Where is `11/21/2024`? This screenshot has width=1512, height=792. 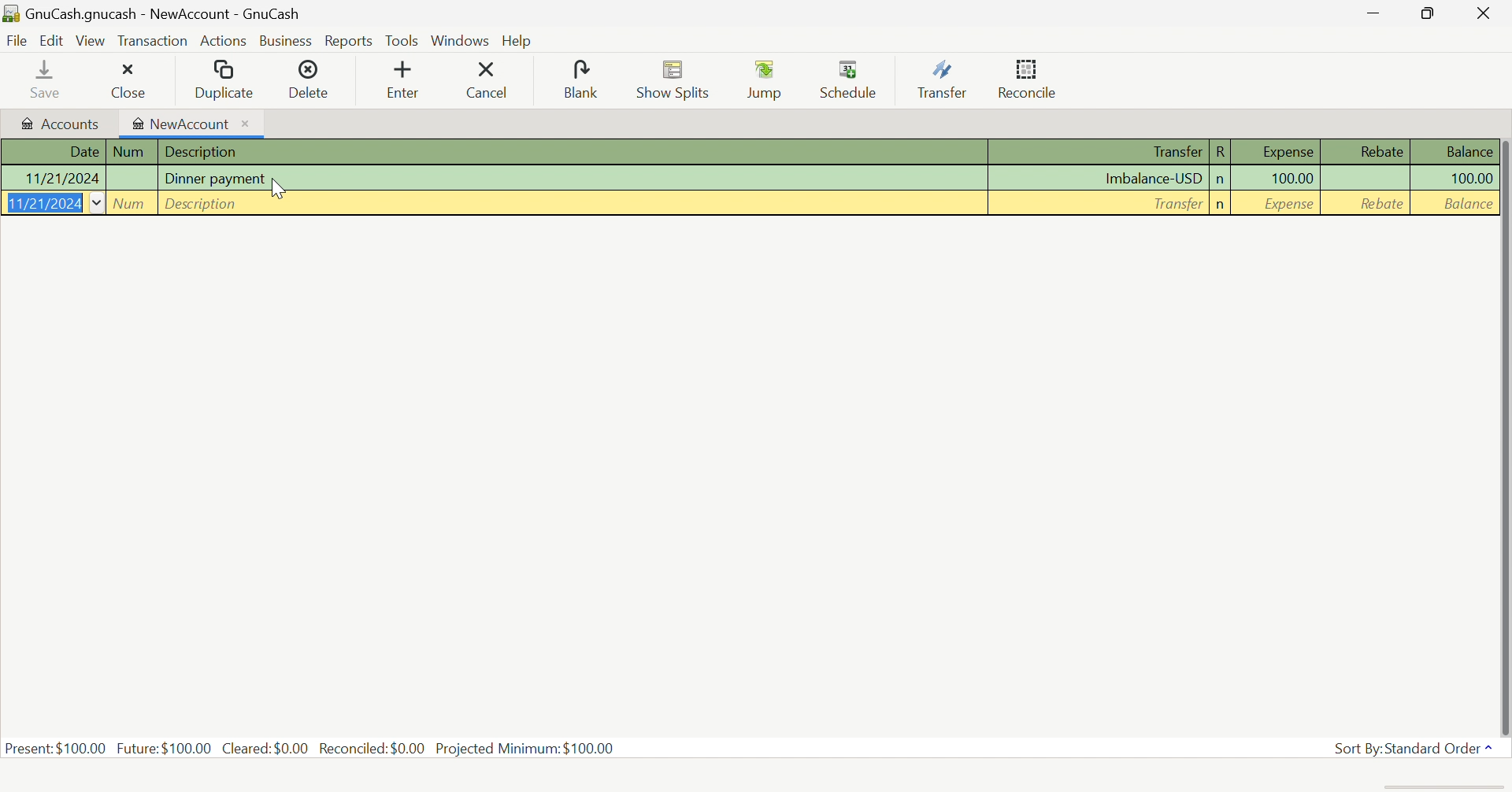
11/21/2024 is located at coordinates (65, 178).